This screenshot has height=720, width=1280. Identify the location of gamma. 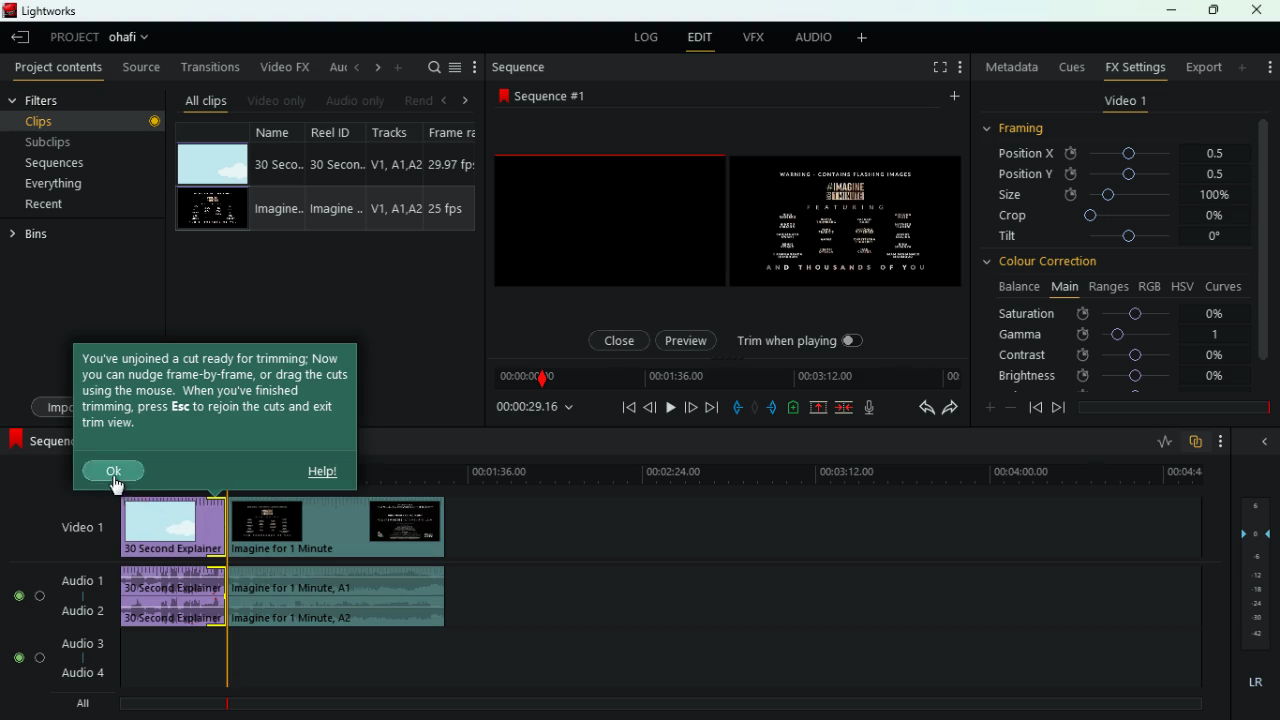
(1110, 334).